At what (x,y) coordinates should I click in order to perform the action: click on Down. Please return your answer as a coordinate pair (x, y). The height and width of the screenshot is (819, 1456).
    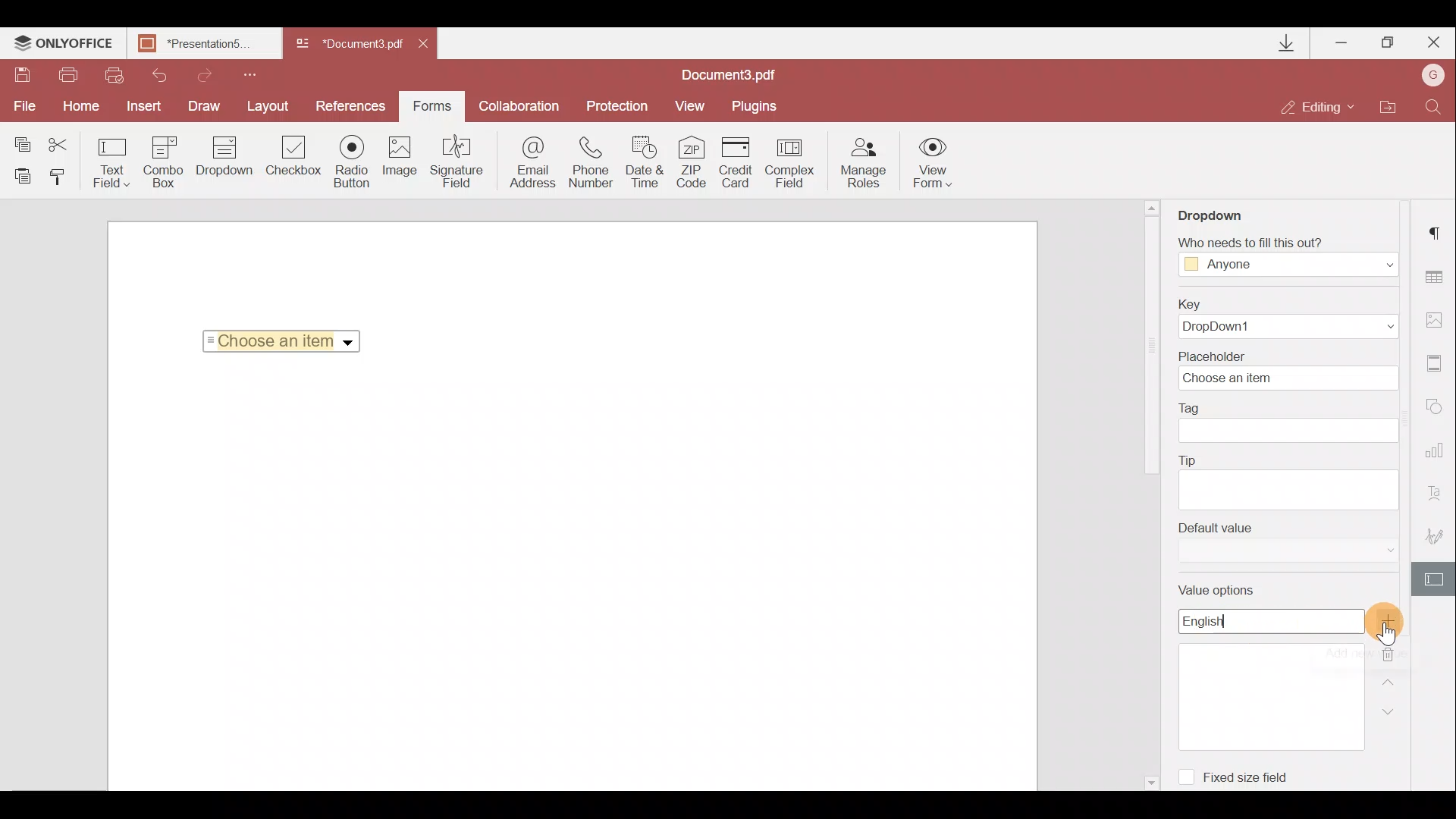
    Looking at the image, I should click on (1393, 711).